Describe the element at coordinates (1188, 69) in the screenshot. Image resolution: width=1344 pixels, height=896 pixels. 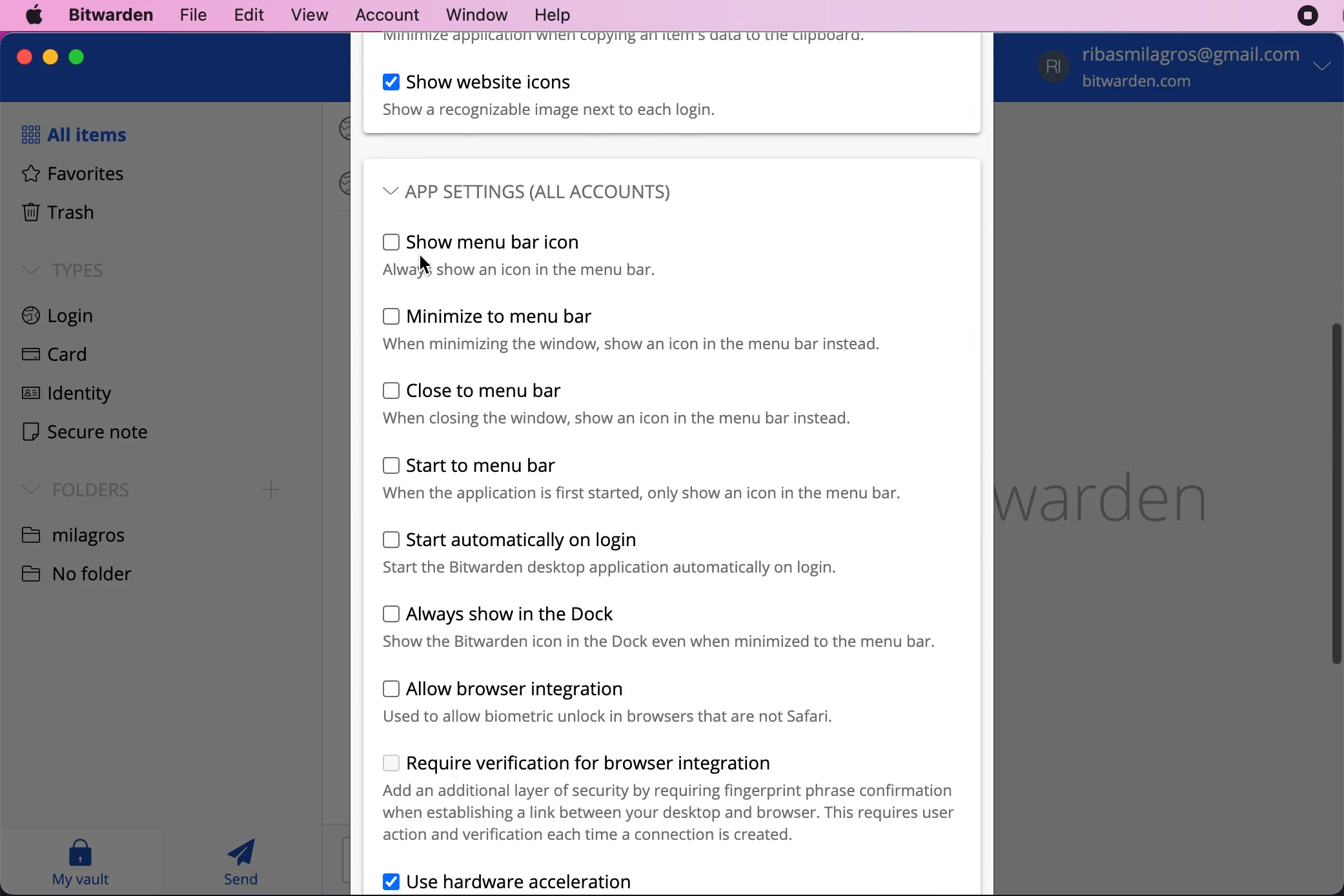
I see `account` at that location.